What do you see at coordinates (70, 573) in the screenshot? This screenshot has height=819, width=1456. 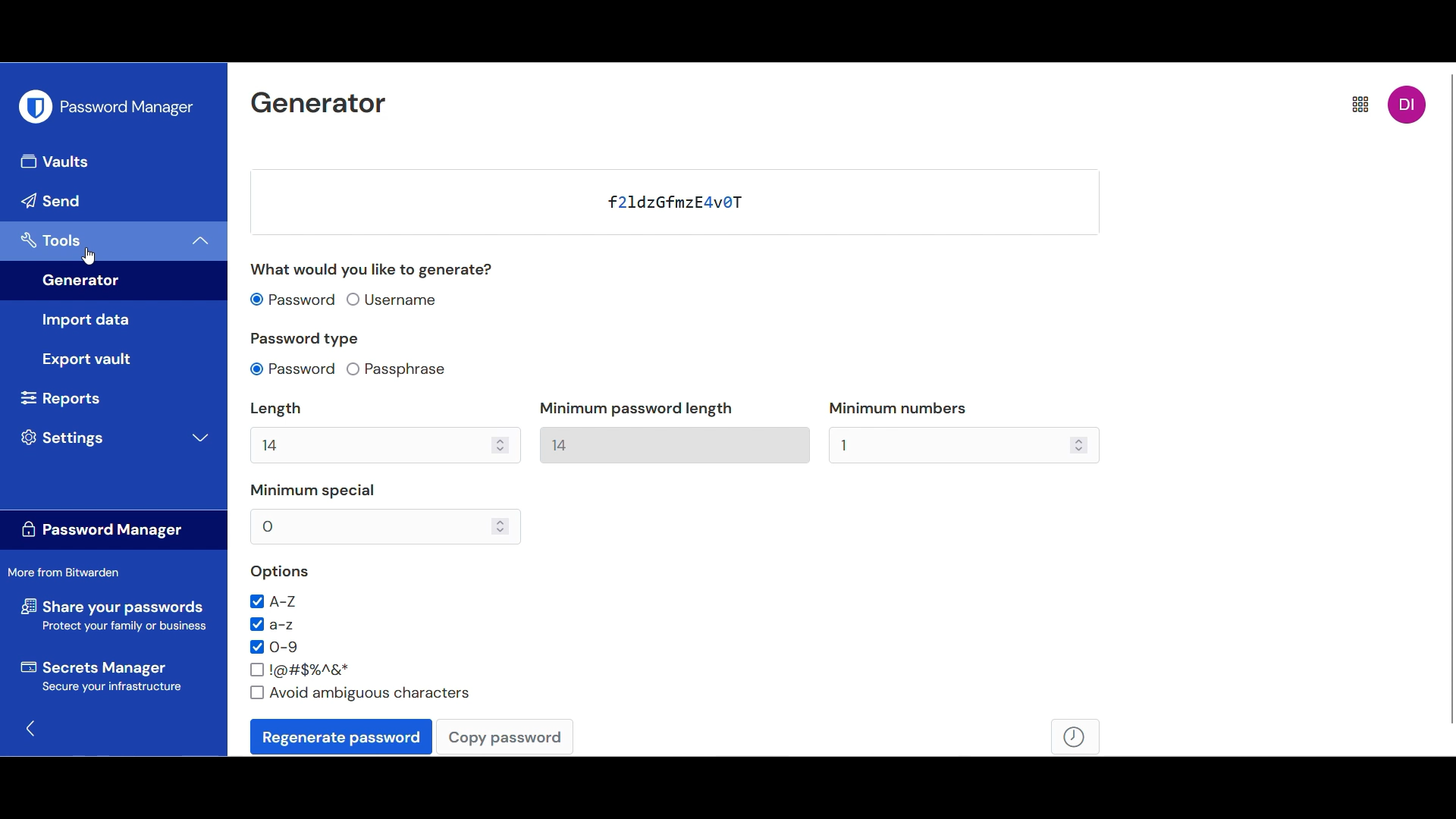 I see `Section title - More from Bitwarden` at bounding box center [70, 573].